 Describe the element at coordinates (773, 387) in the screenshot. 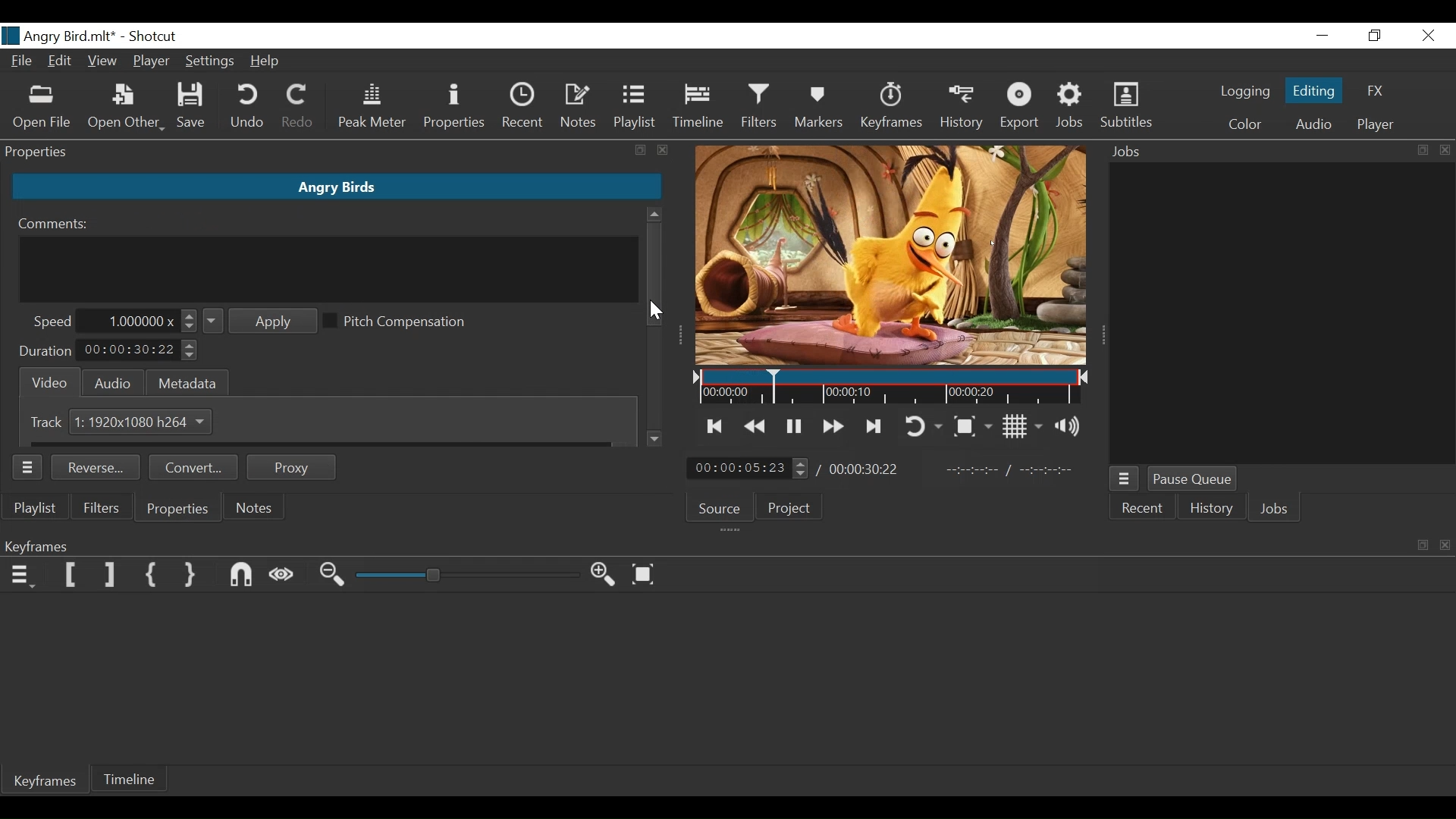

I see `Insertion cursor` at that location.